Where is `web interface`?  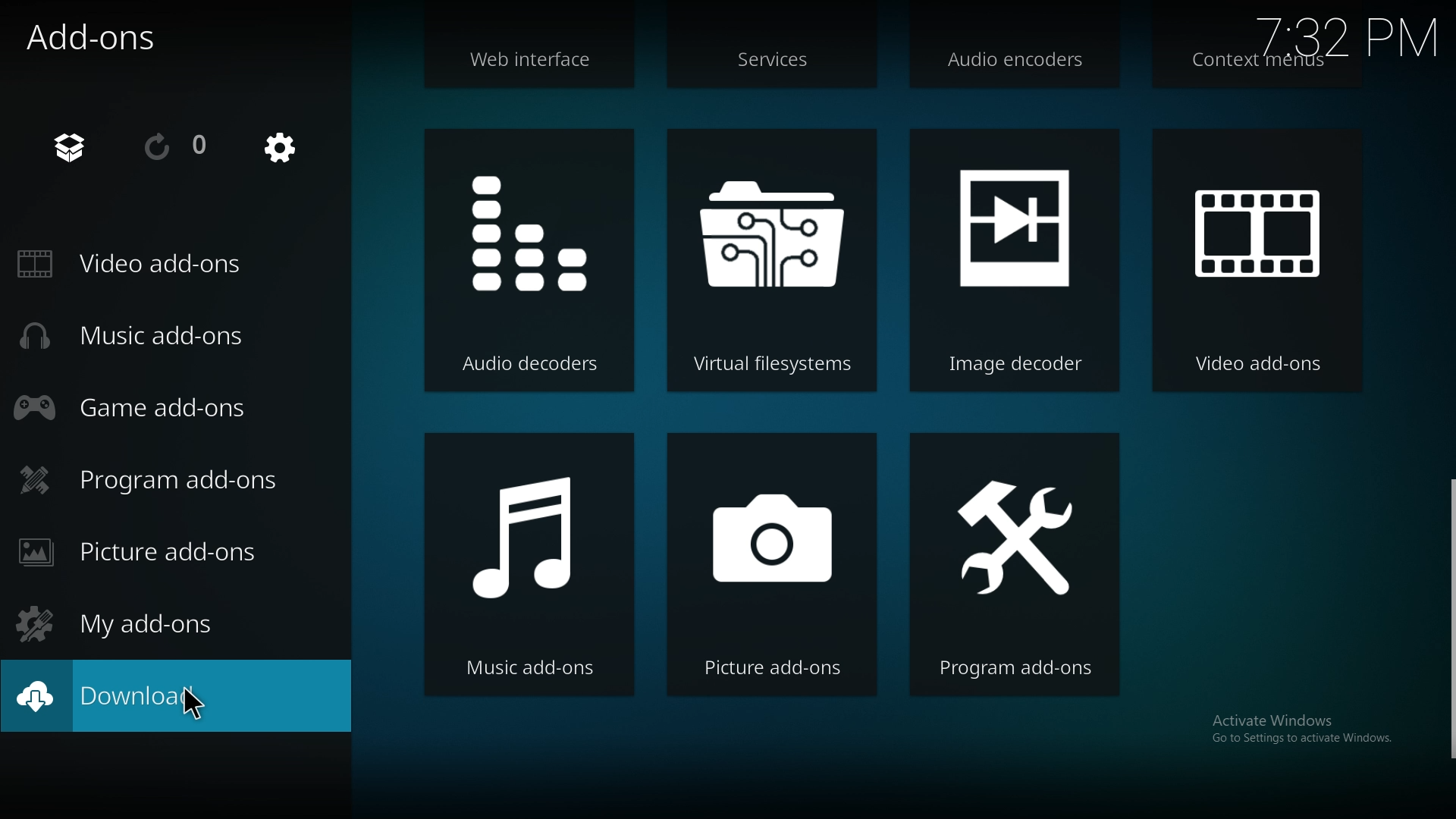
web interface is located at coordinates (535, 65).